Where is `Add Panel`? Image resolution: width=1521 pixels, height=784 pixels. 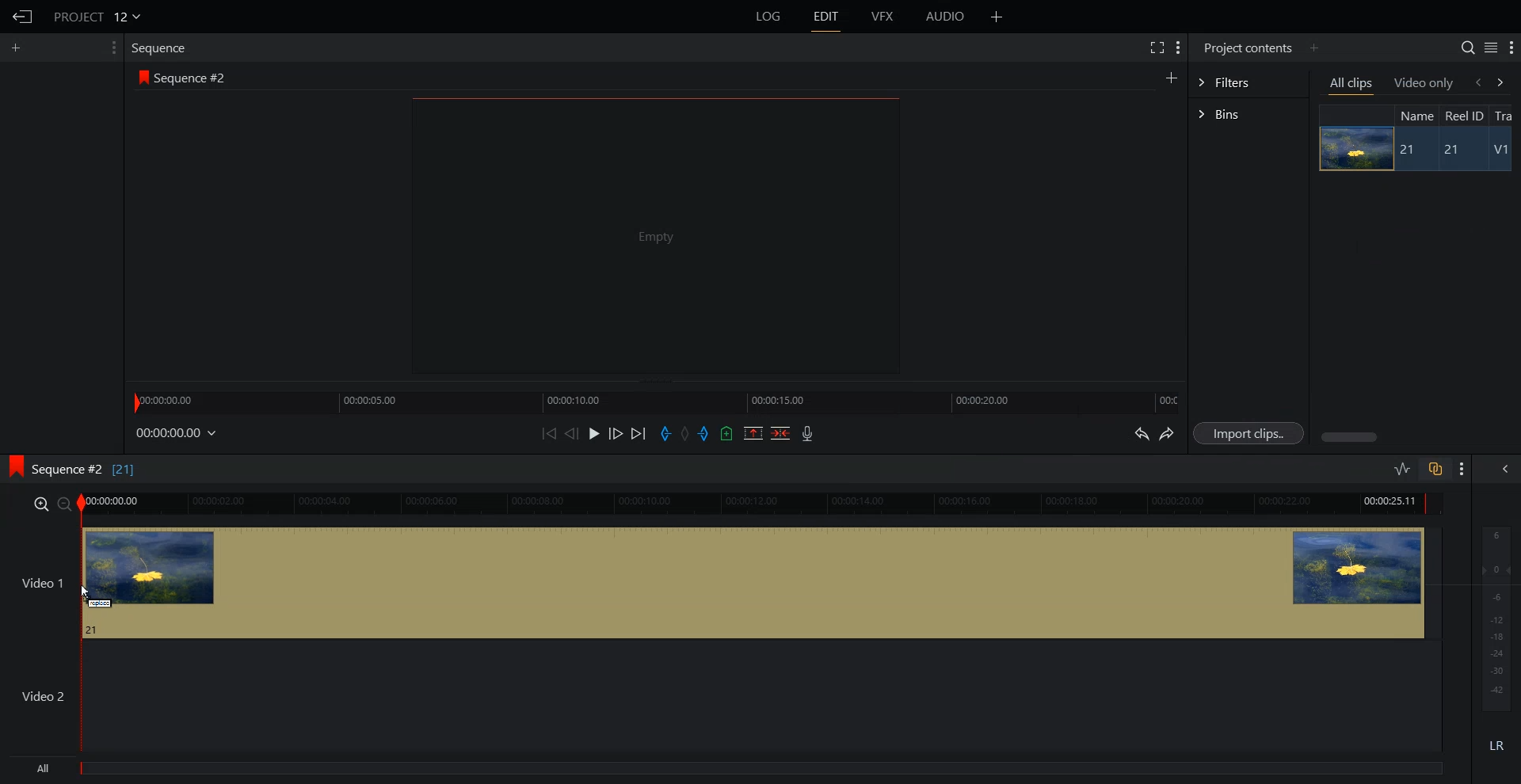 Add Panel is located at coordinates (17, 48).